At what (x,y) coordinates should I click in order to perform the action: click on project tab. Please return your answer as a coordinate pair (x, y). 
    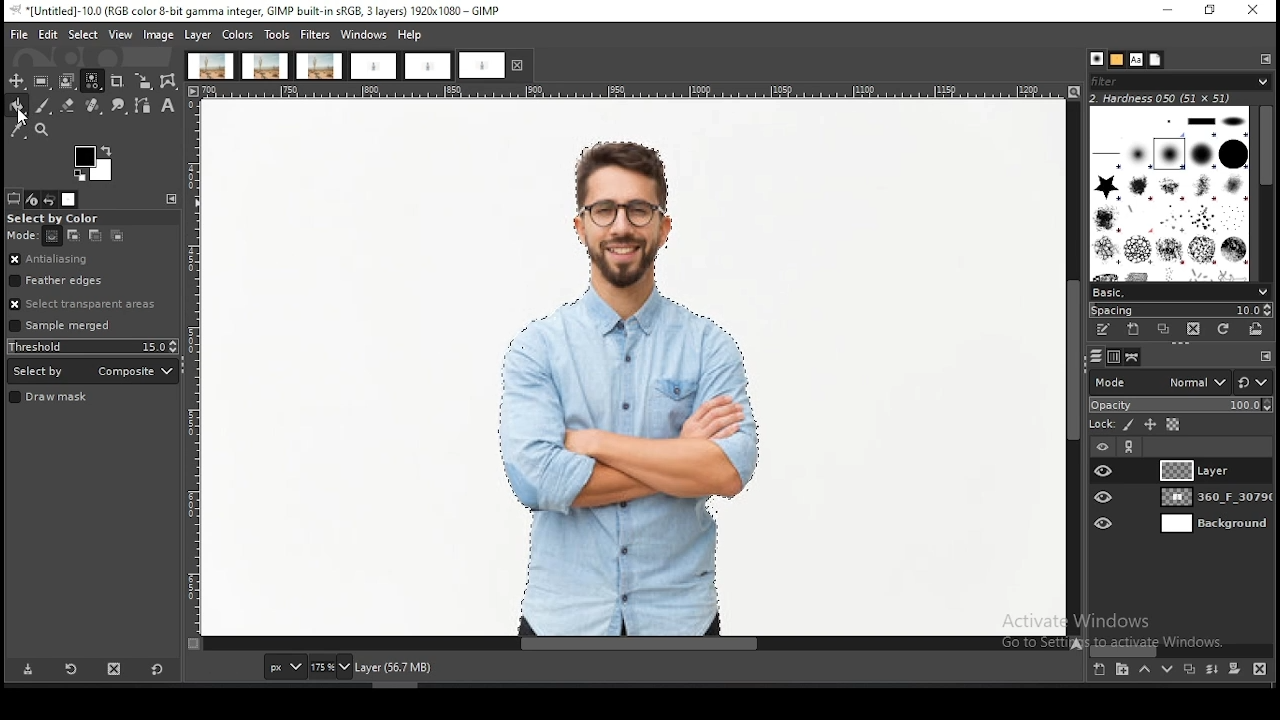
    Looking at the image, I should click on (210, 66).